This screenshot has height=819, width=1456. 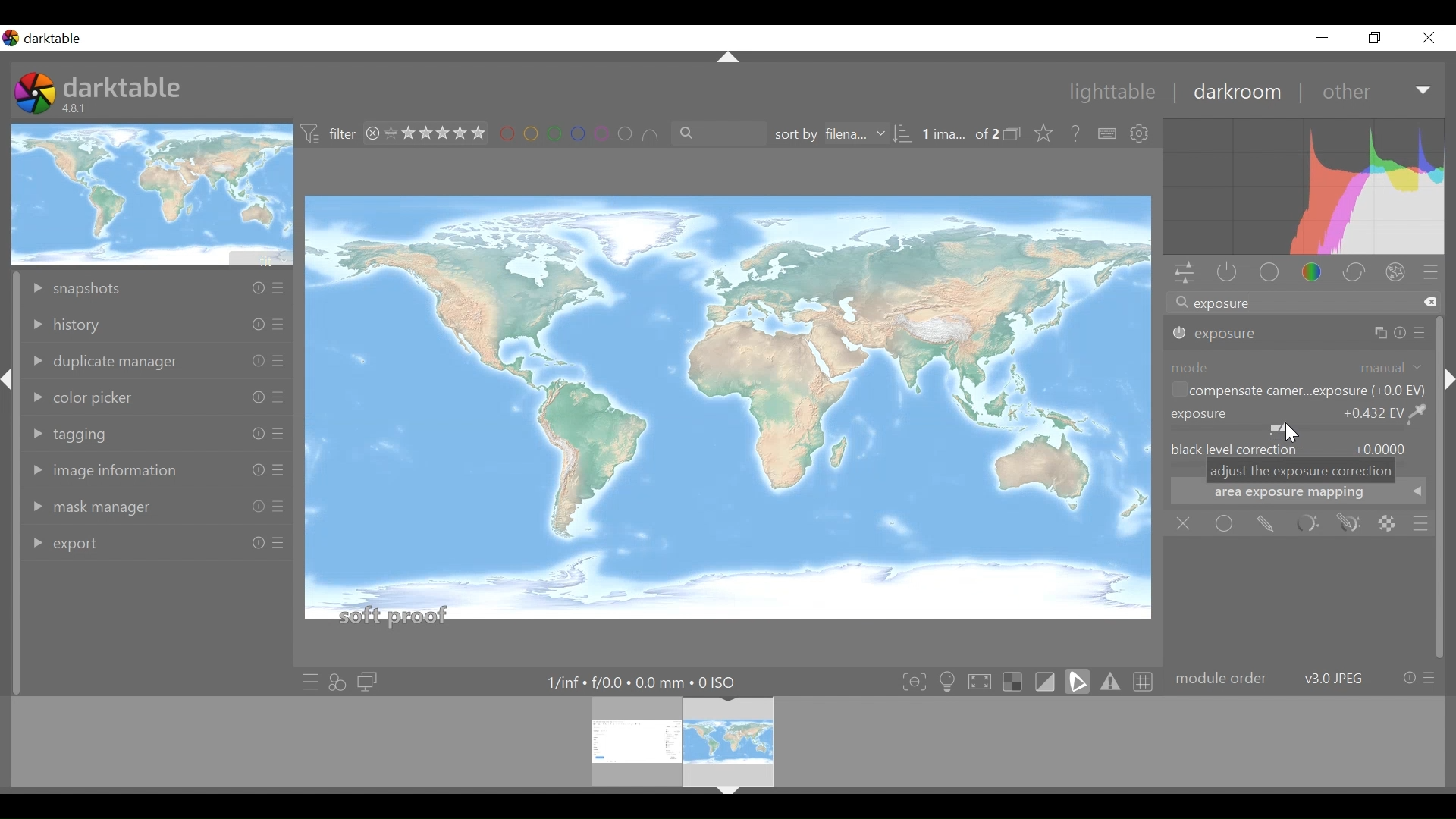 What do you see at coordinates (1420, 333) in the screenshot?
I see `` at bounding box center [1420, 333].